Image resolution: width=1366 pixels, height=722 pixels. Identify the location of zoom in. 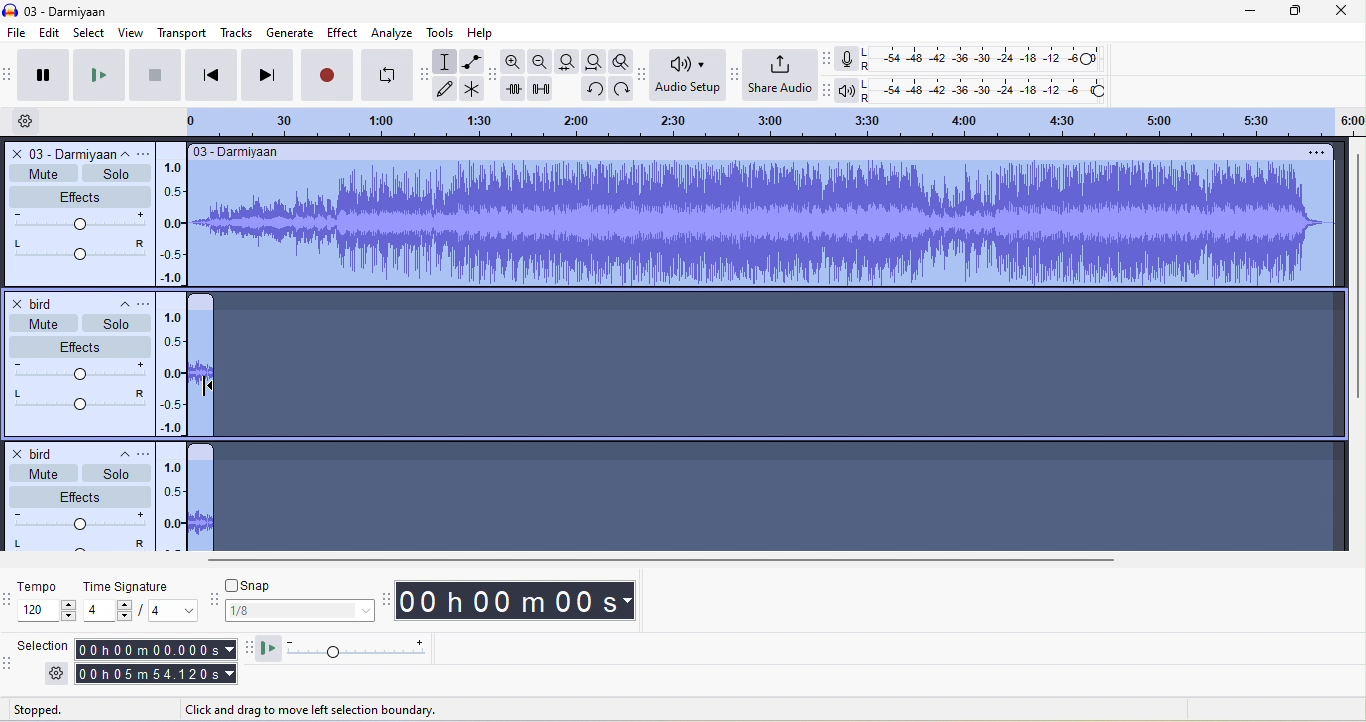
(516, 61).